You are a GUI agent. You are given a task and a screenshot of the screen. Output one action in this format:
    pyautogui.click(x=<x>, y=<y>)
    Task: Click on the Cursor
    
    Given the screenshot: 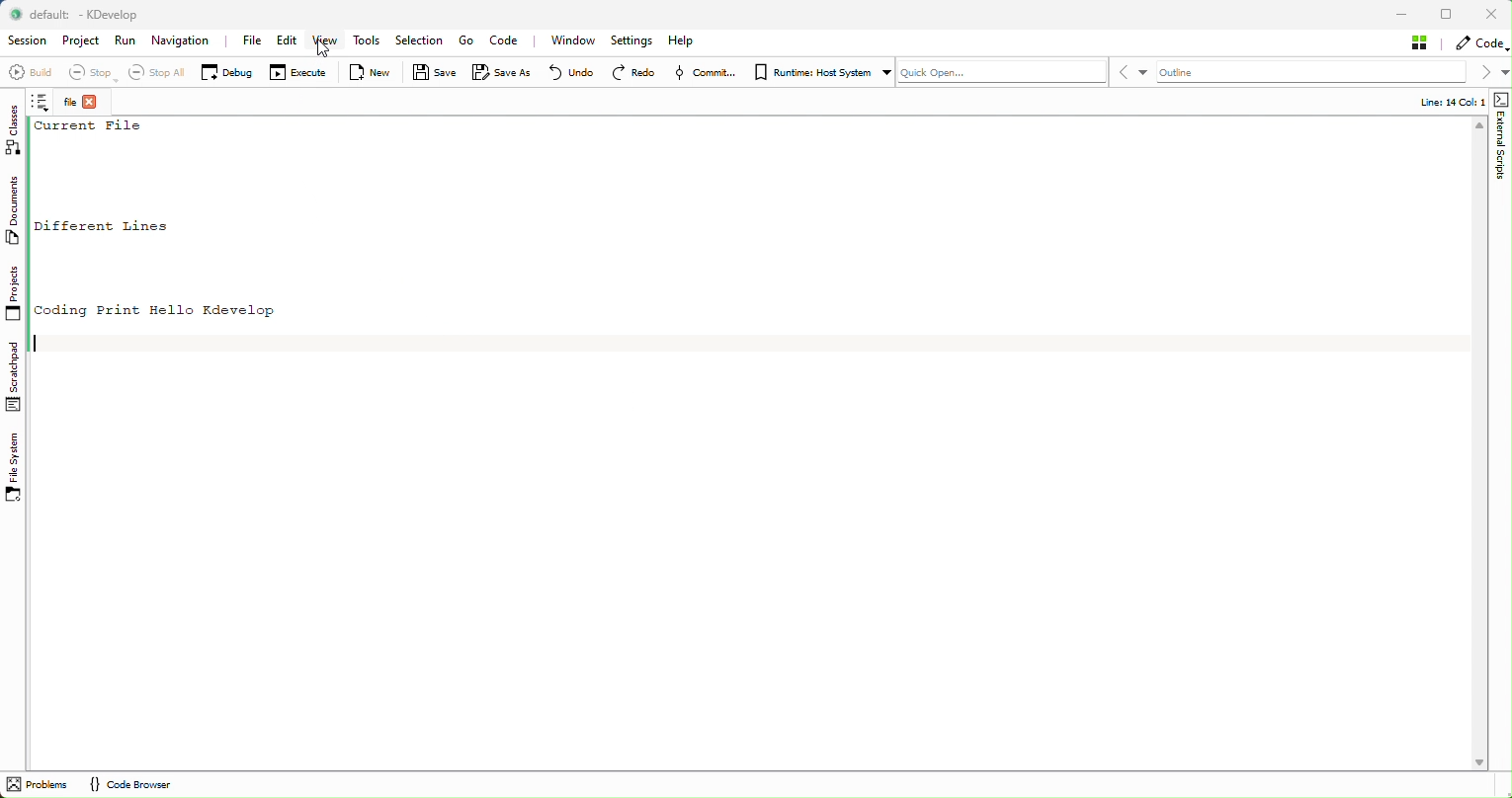 What is the action you would take?
    pyautogui.click(x=326, y=48)
    